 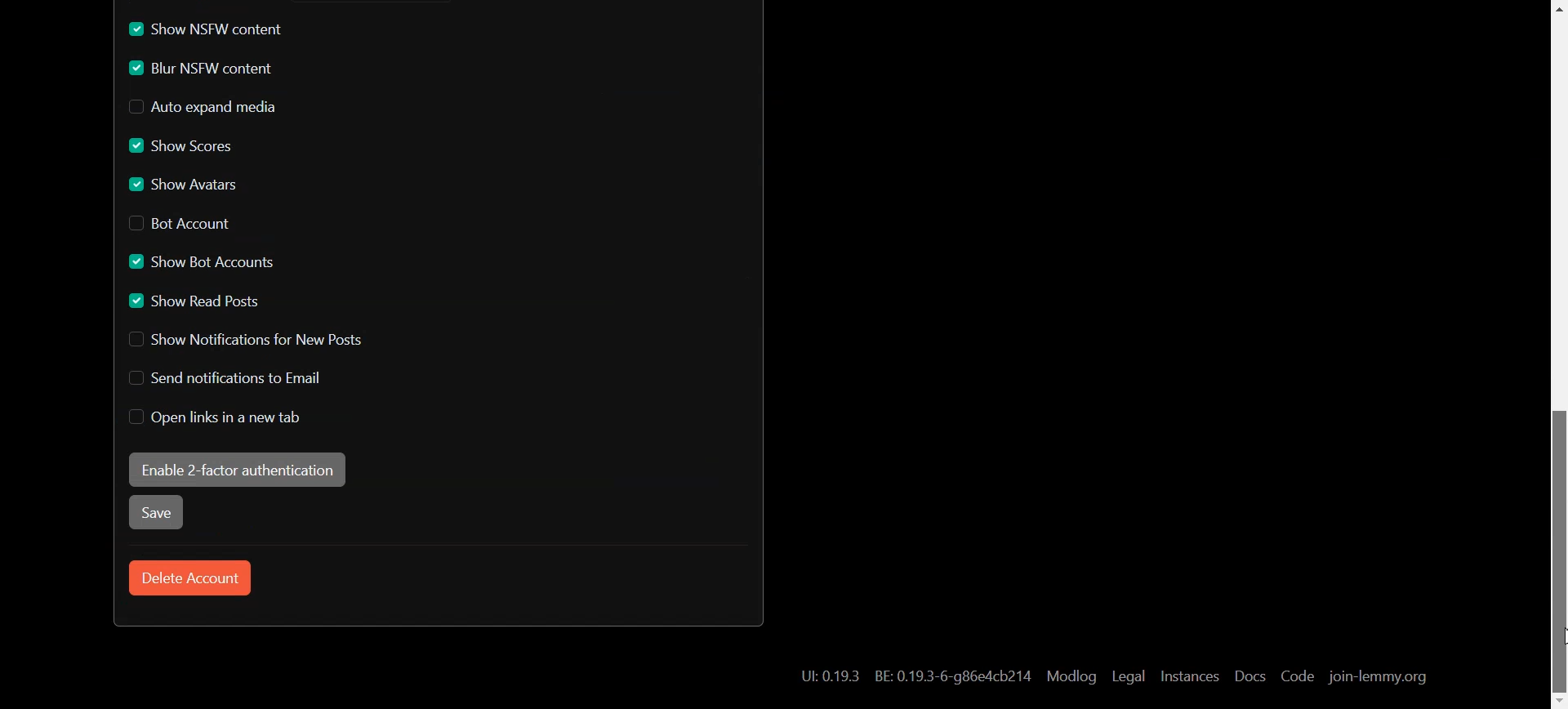 I want to click on Enable Blur NSFW content, so click(x=229, y=69).